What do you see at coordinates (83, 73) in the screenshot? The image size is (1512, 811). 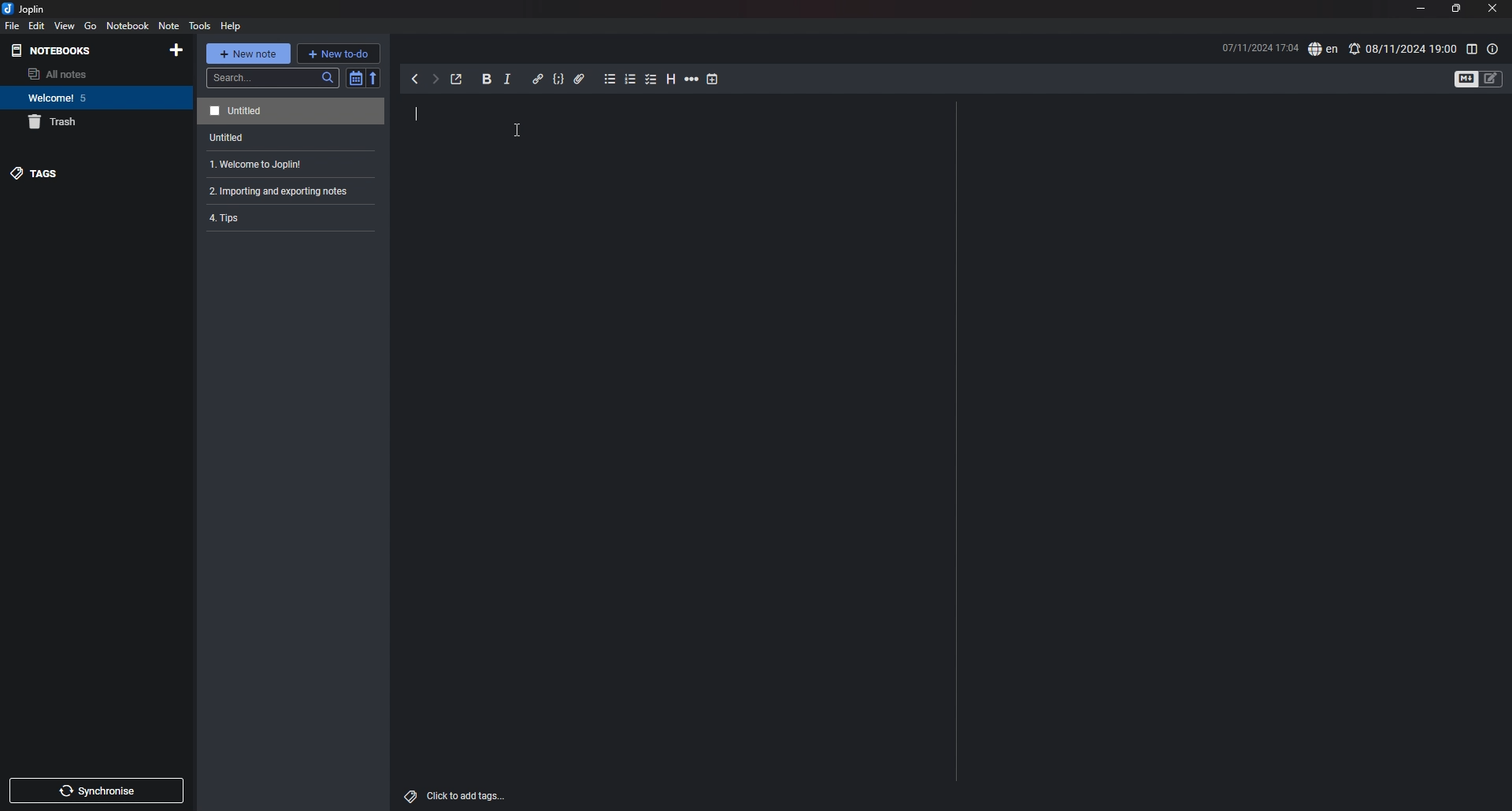 I see `all notes` at bounding box center [83, 73].